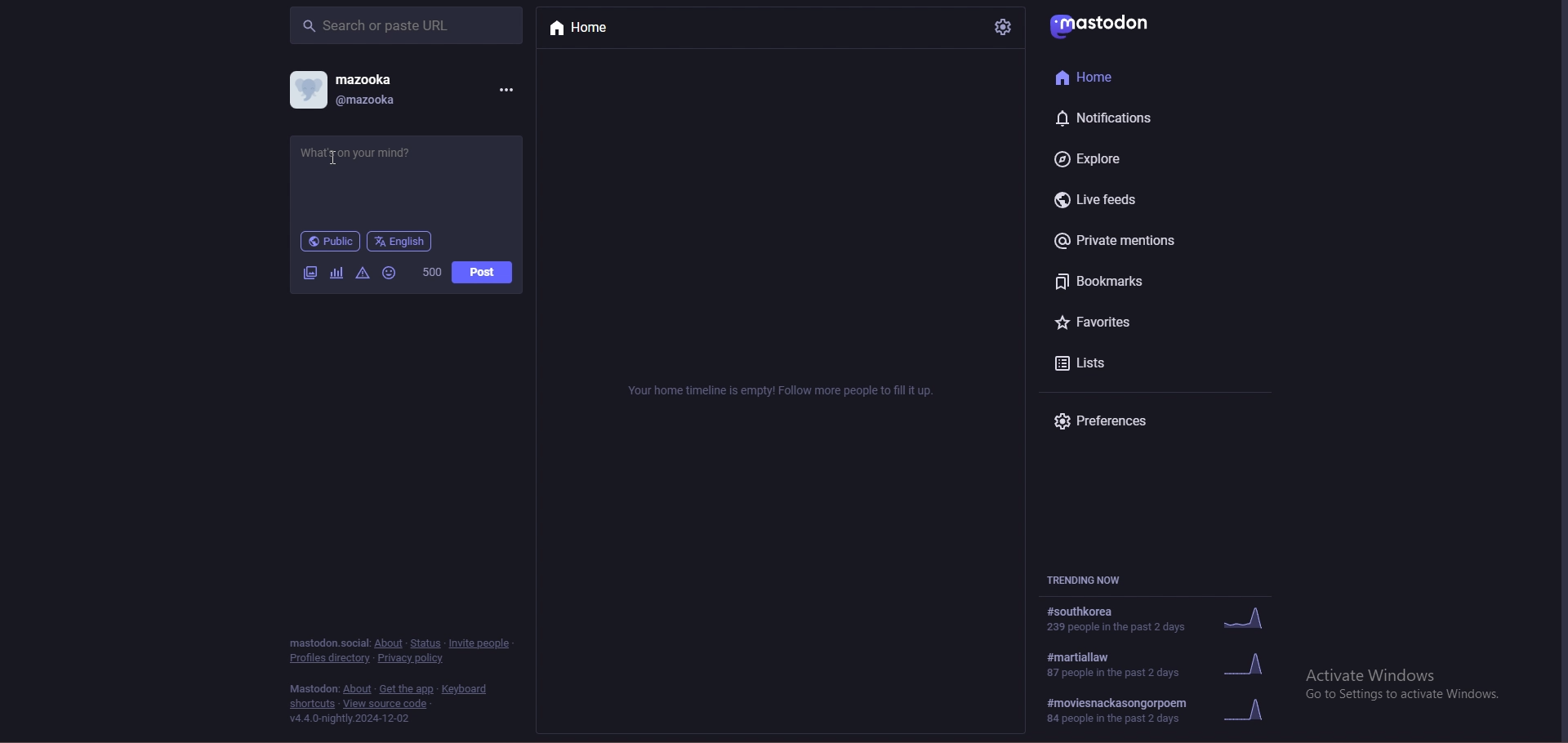 The image size is (1568, 743). Describe the element at coordinates (390, 704) in the screenshot. I see `View source code` at that location.